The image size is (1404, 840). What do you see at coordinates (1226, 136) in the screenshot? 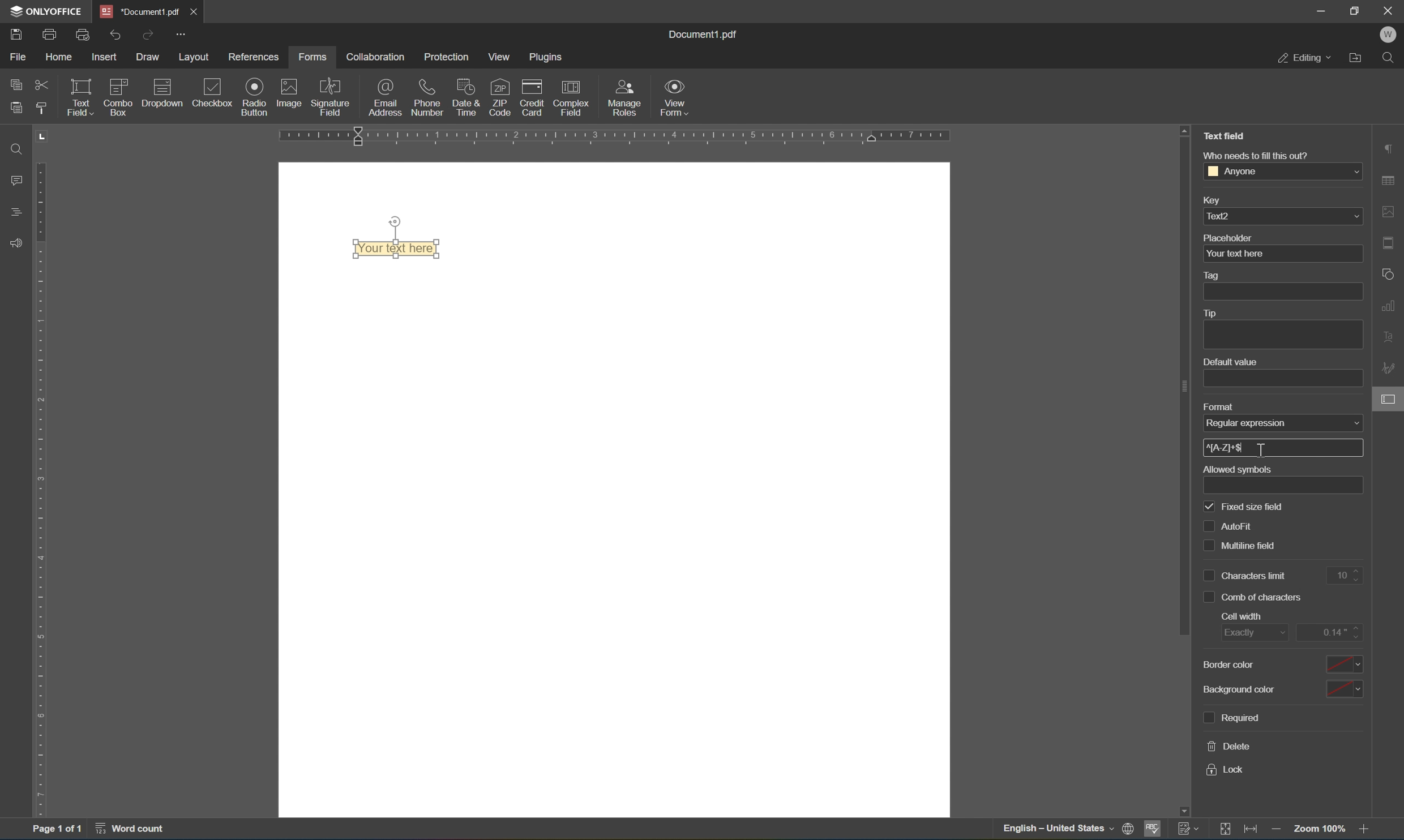
I see `Text Field` at bounding box center [1226, 136].